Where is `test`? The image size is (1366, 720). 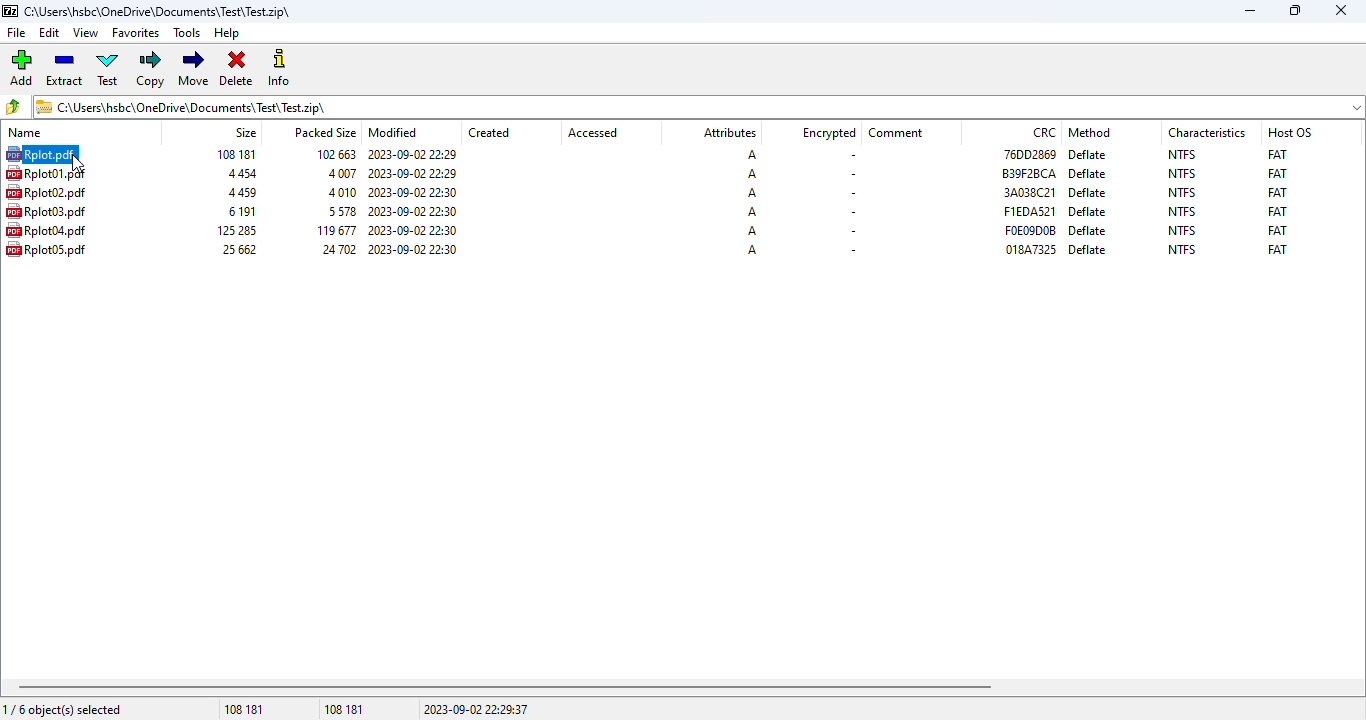 test is located at coordinates (109, 69).